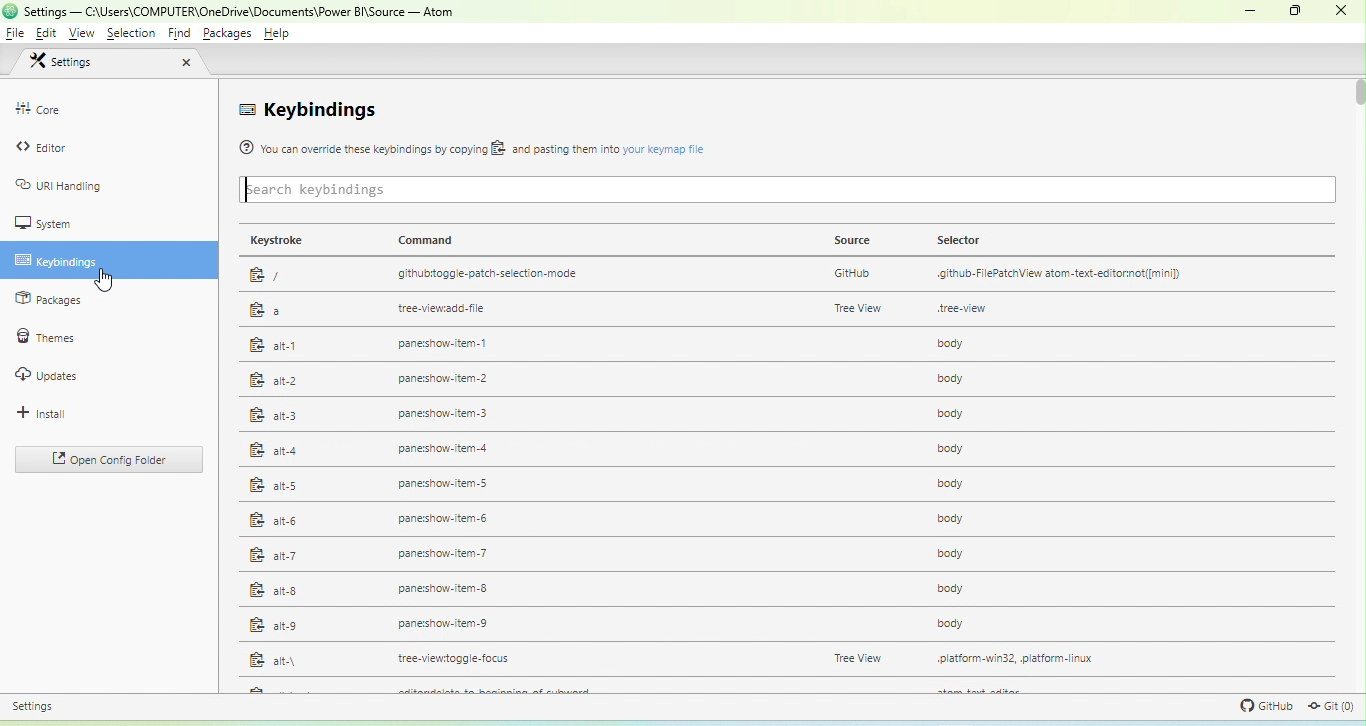 This screenshot has height=726, width=1366. Describe the element at coordinates (16, 33) in the screenshot. I see `file menu` at that location.